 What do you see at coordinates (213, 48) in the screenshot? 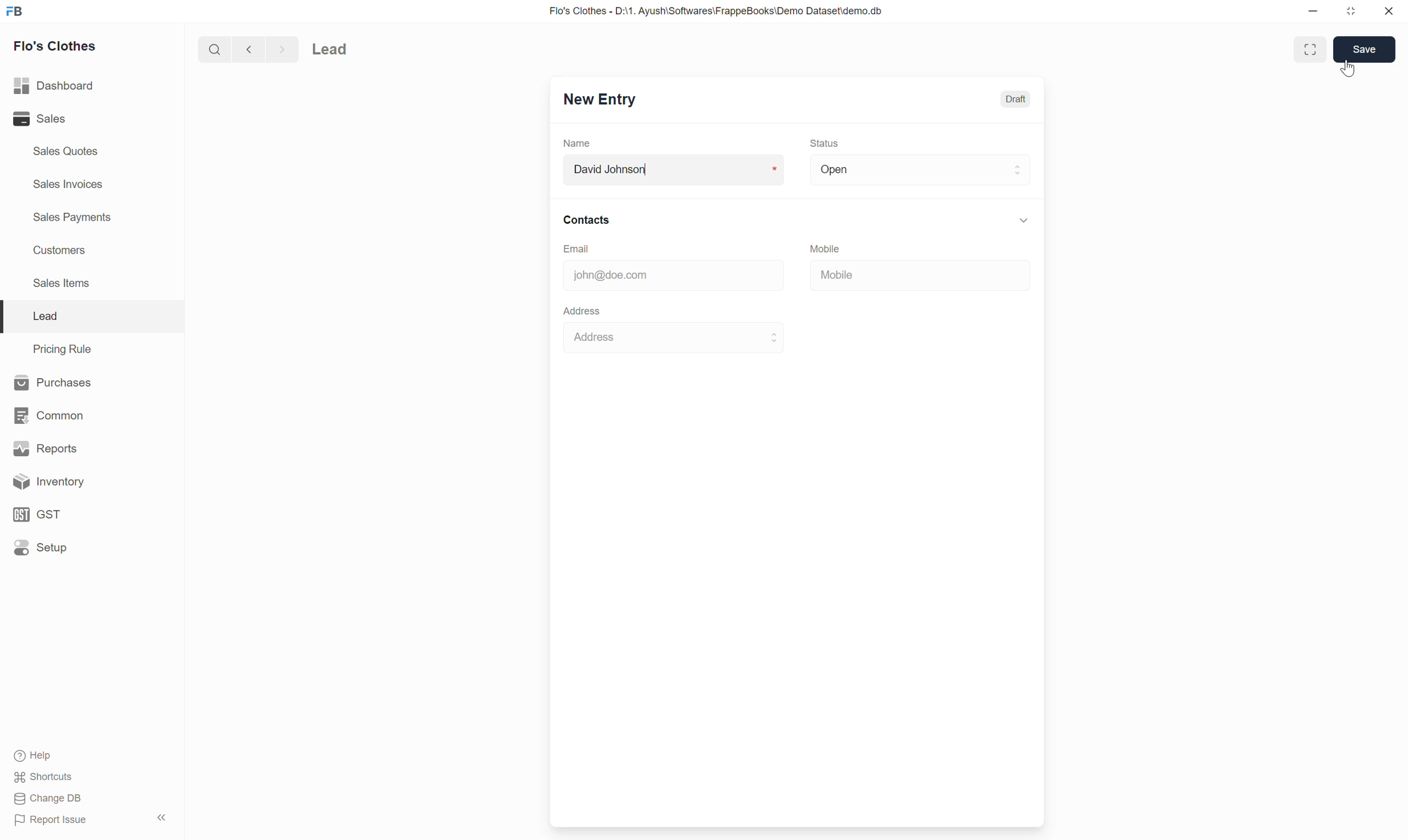
I see `search` at bounding box center [213, 48].